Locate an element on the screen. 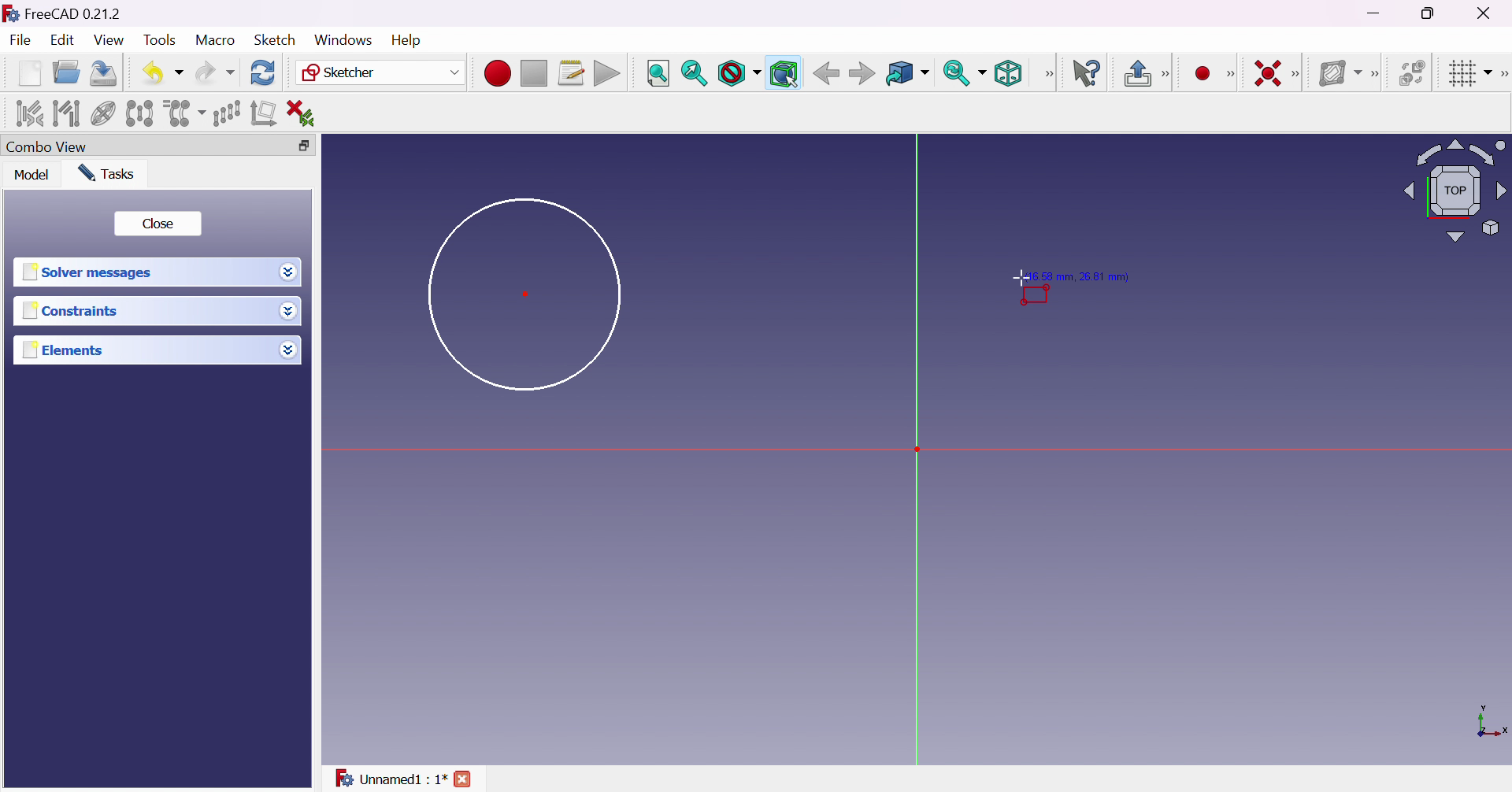  View is located at coordinates (1050, 73).